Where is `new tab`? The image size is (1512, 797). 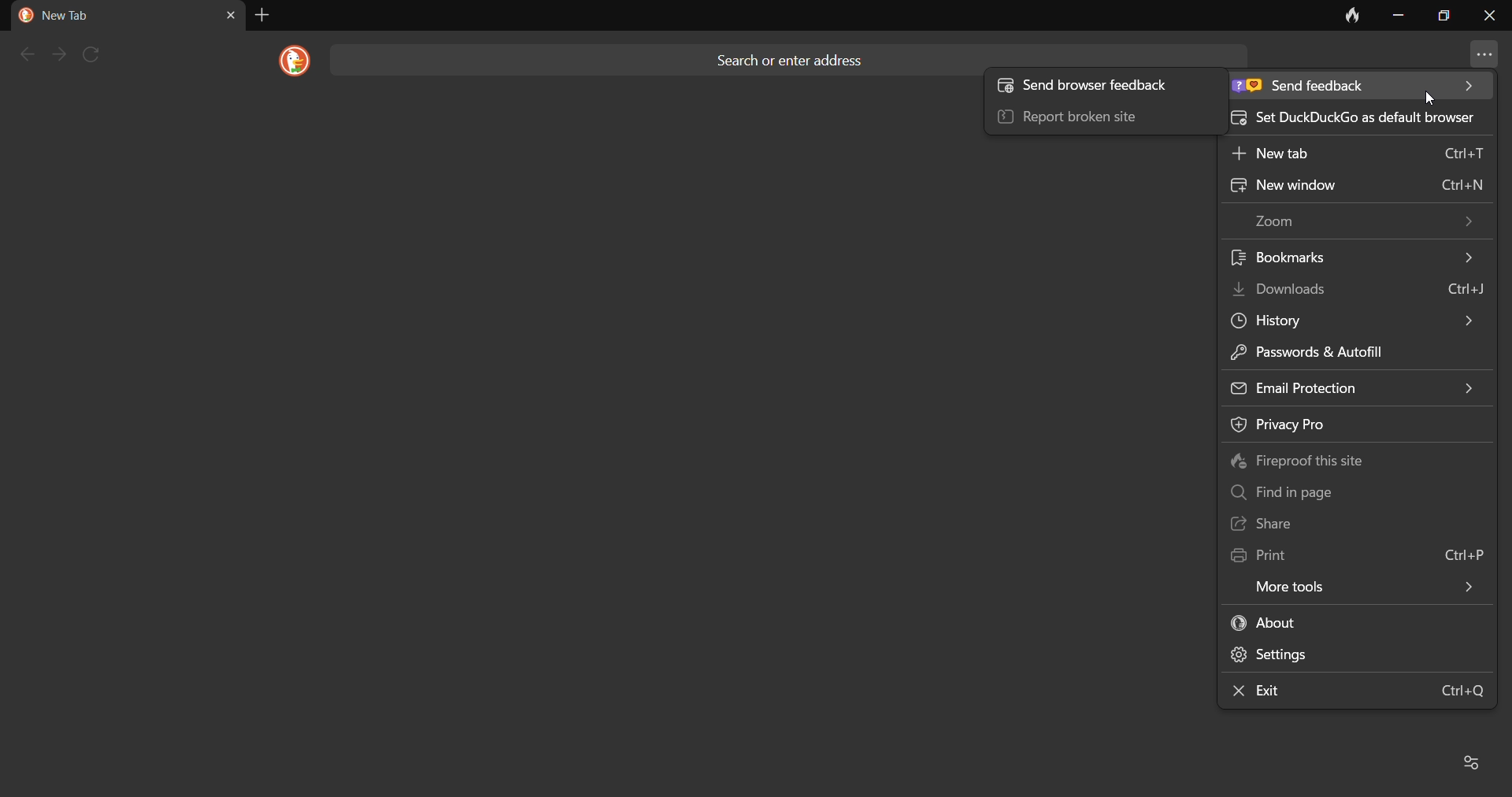
new tab is located at coordinates (1356, 152).